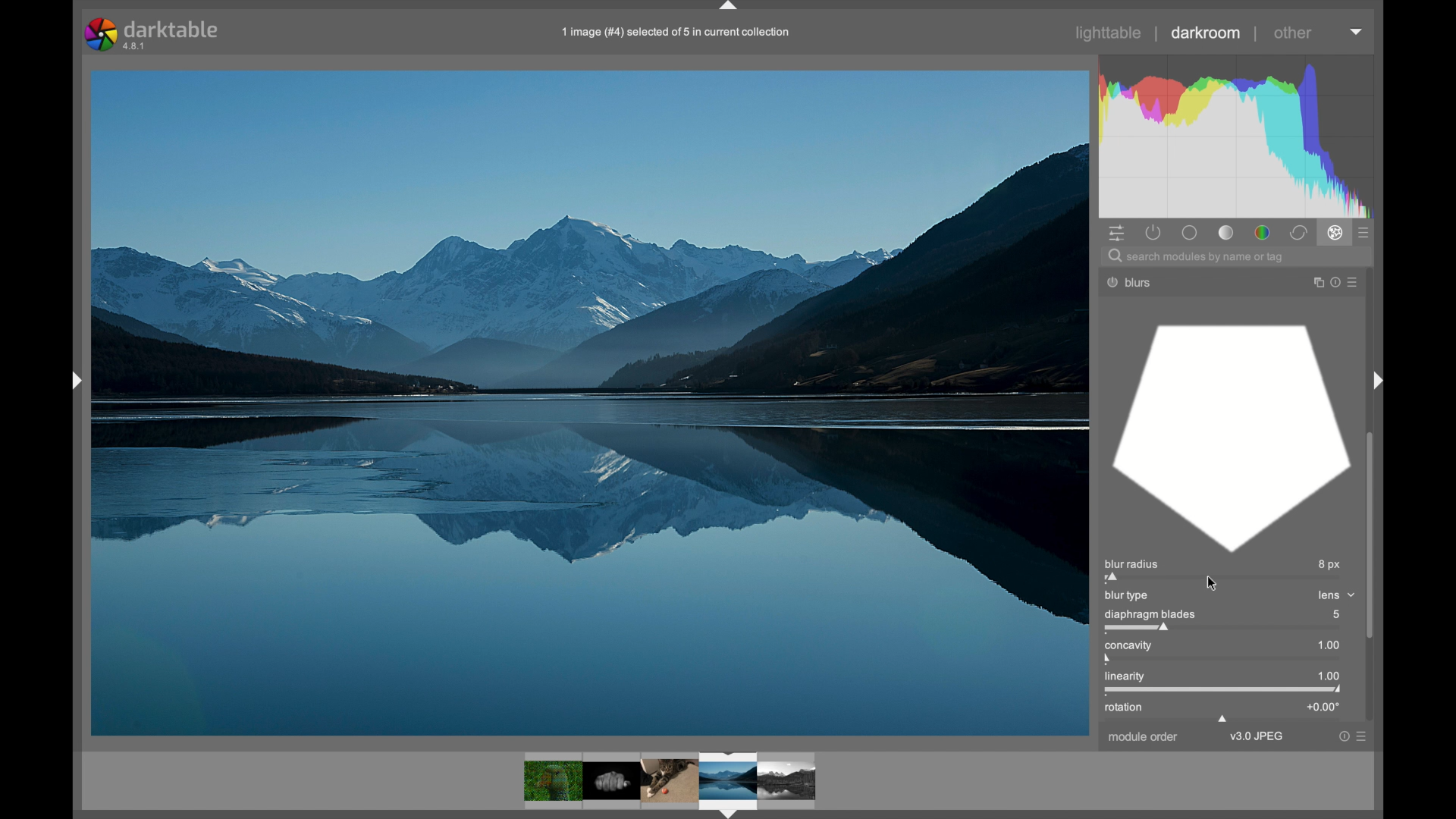 Image resolution: width=1456 pixels, height=819 pixels. What do you see at coordinates (676, 30) in the screenshot?
I see `1image (#4) selected of 5 in current collection` at bounding box center [676, 30].